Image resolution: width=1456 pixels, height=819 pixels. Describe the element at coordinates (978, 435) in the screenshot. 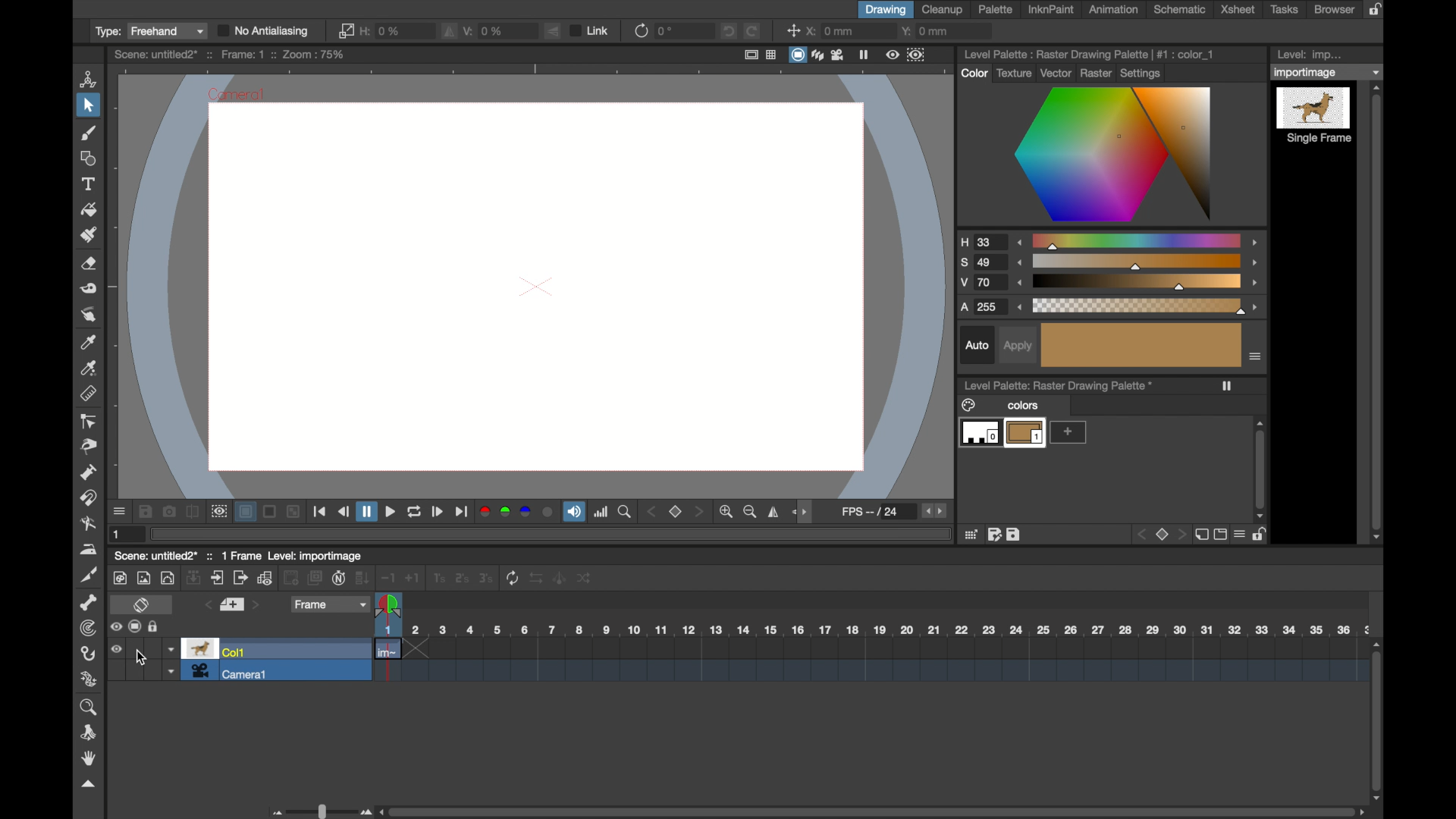

I see `level` at that location.